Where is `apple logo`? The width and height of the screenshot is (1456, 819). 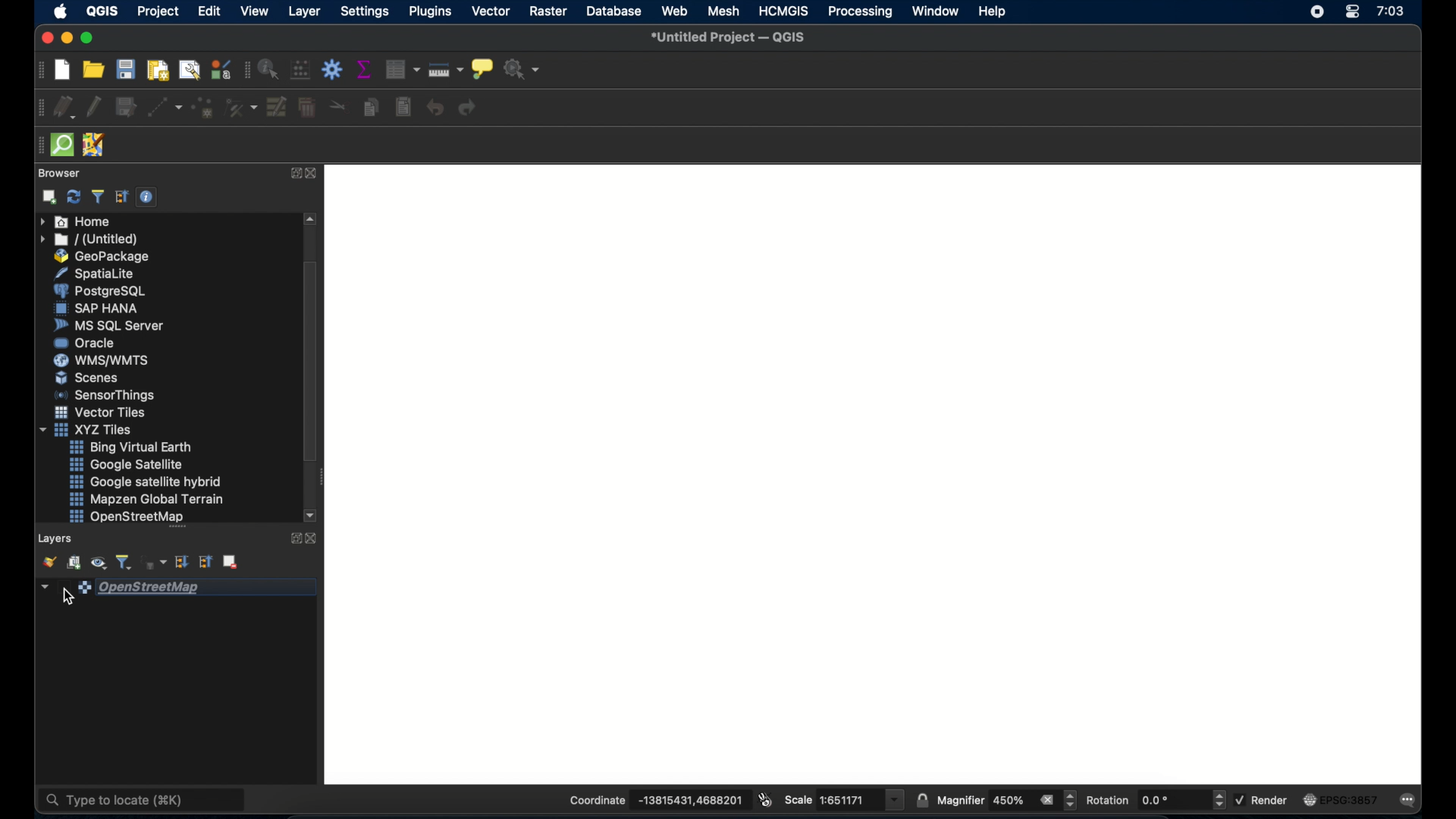 apple logo is located at coordinates (61, 12).